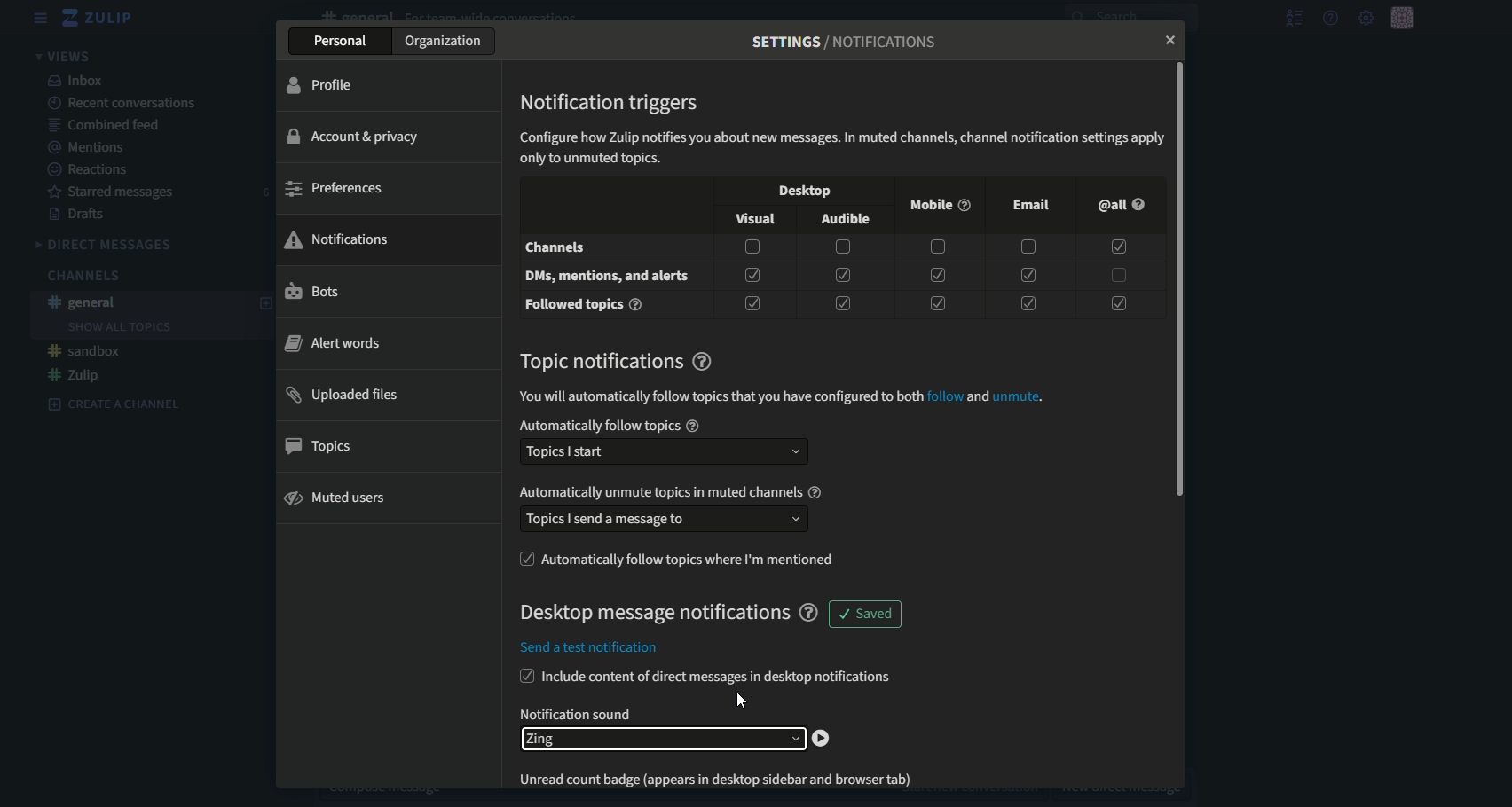  Describe the element at coordinates (842, 145) in the screenshot. I see `text` at that location.